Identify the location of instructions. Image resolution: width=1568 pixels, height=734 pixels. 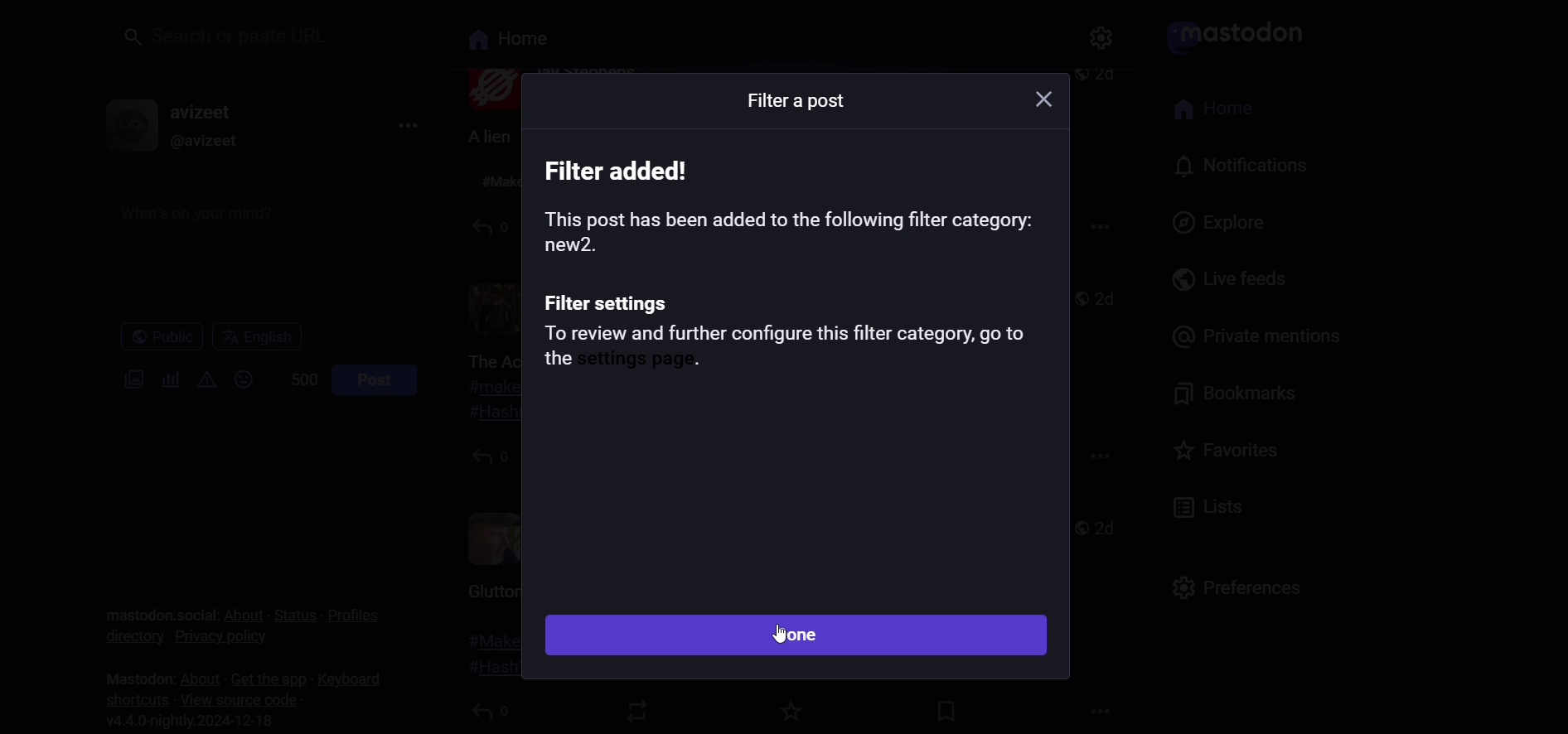
(790, 245).